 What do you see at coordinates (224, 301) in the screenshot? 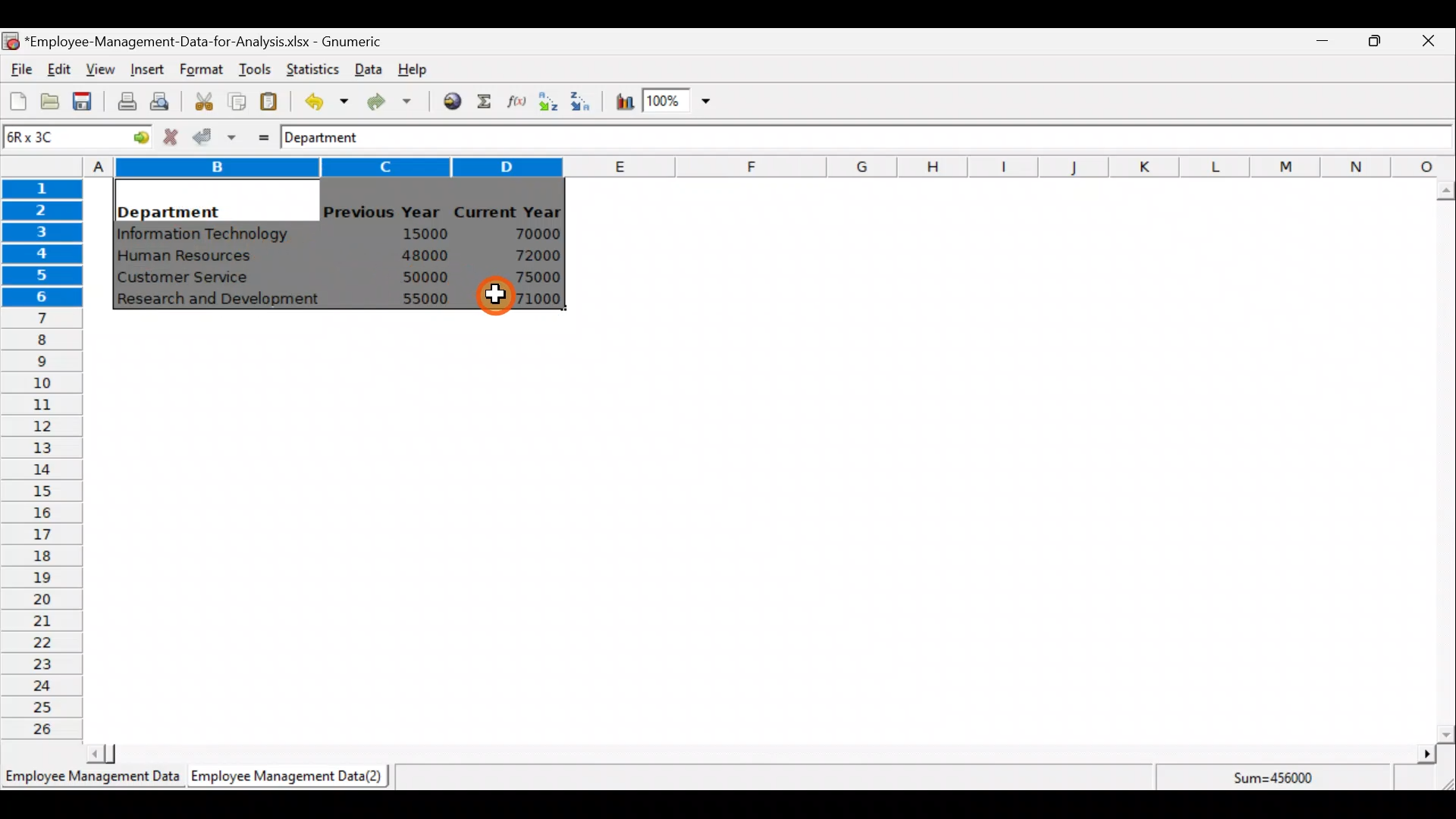
I see `Research and Development` at bounding box center [224, 301].